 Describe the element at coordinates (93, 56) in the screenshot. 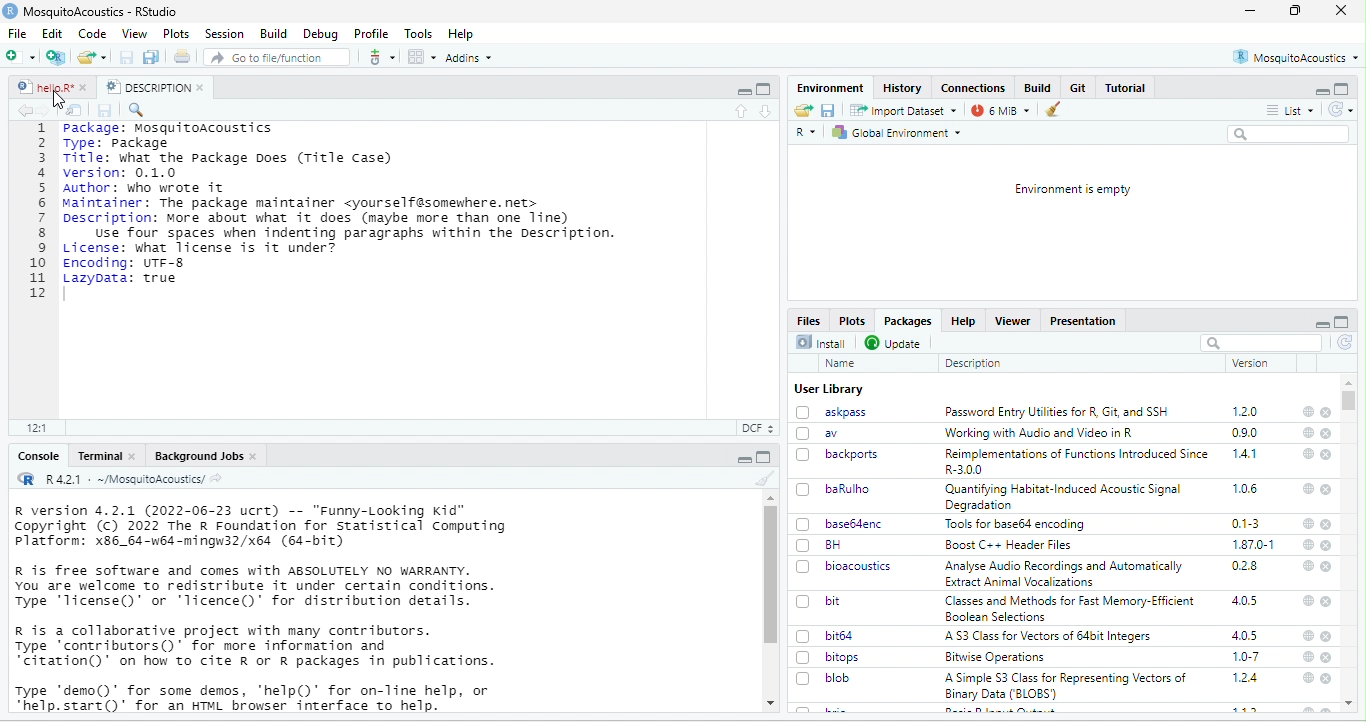

I see `open an existing file` at that location.